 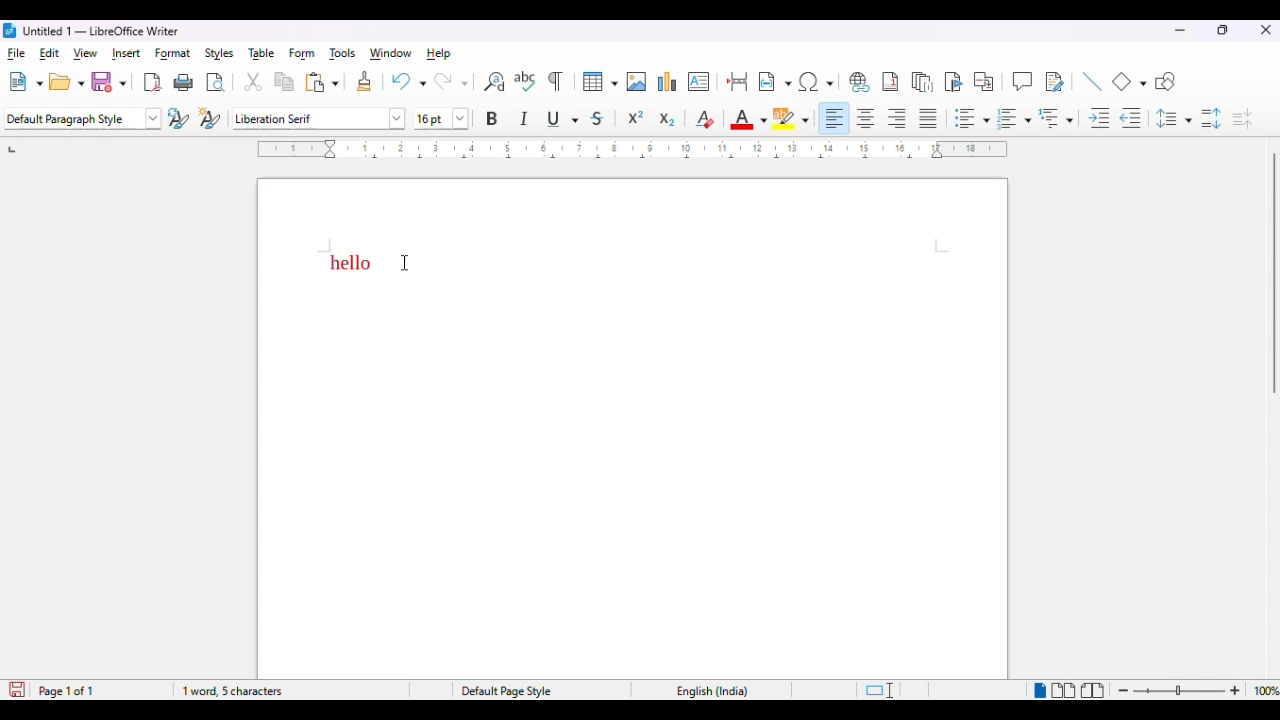 What do you see at coordinates (179, 118) in the screenshot?
I see `update selected style` at bounding box center [179, 118].